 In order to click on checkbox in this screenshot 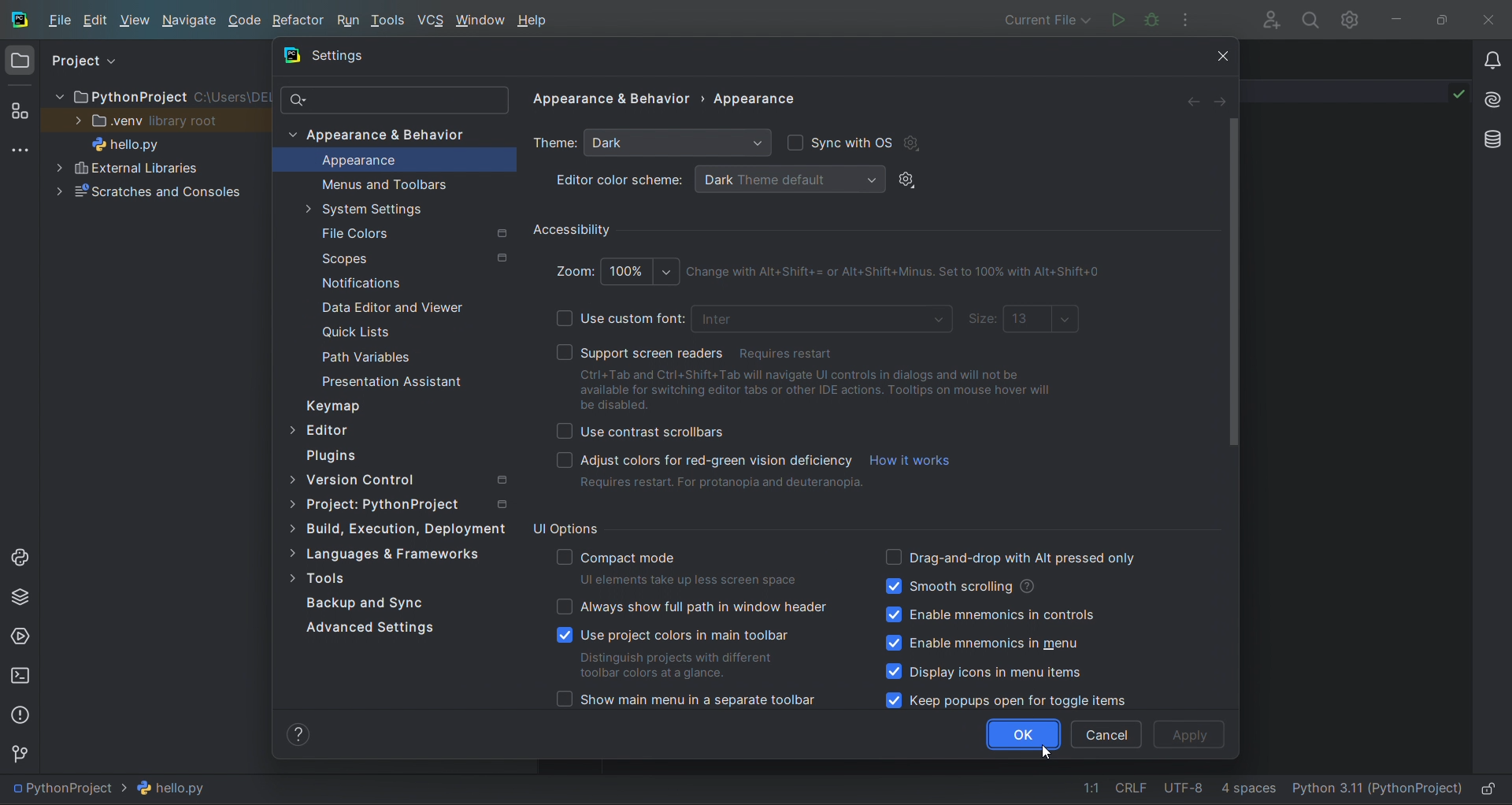, I will do `click(795, 142)`.